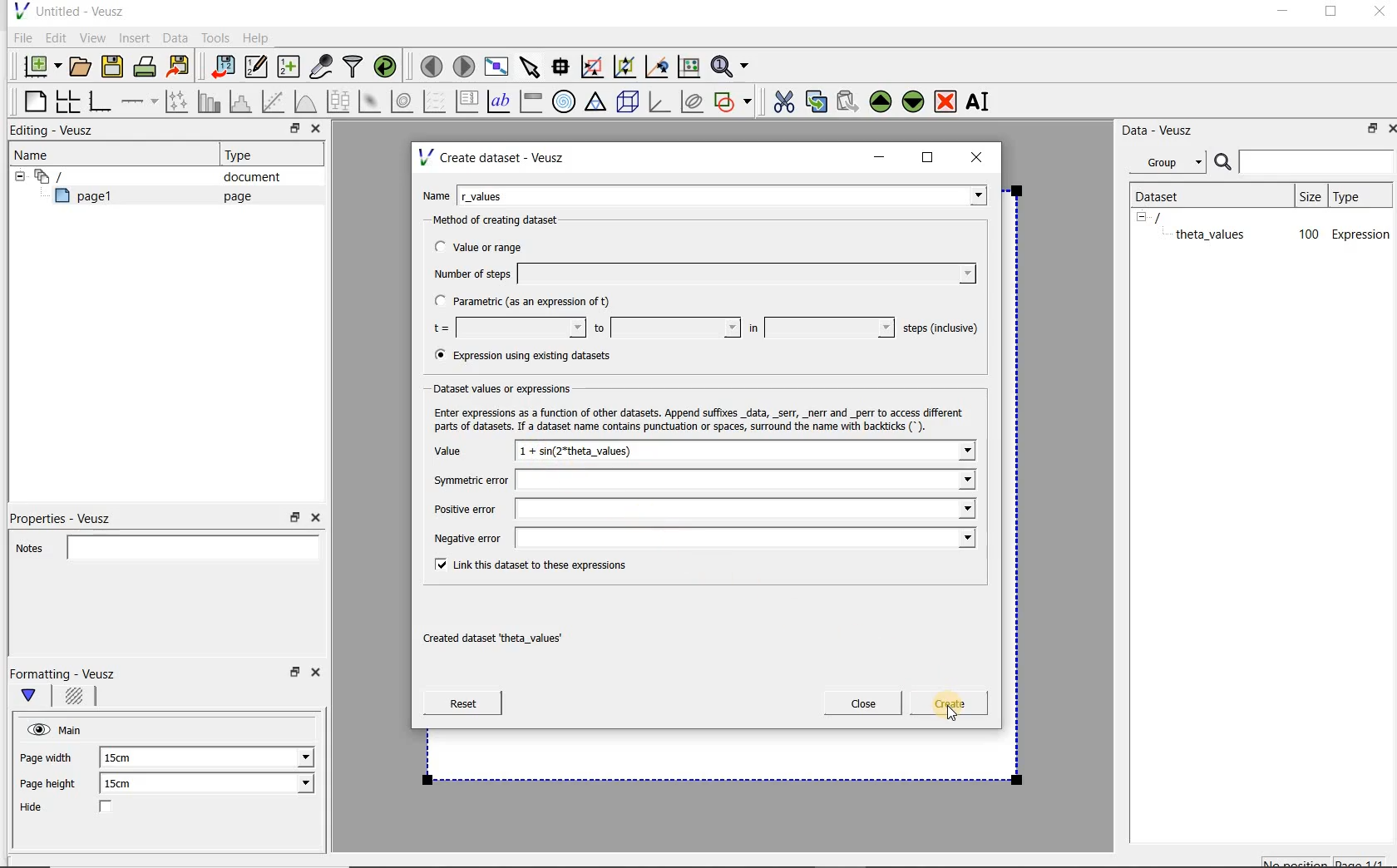 This screenshot has width=1397, height=868. What do you see at coordinates (1358, 195) in the screenshot?
I see `Type` at bounding box center [1358, 195].